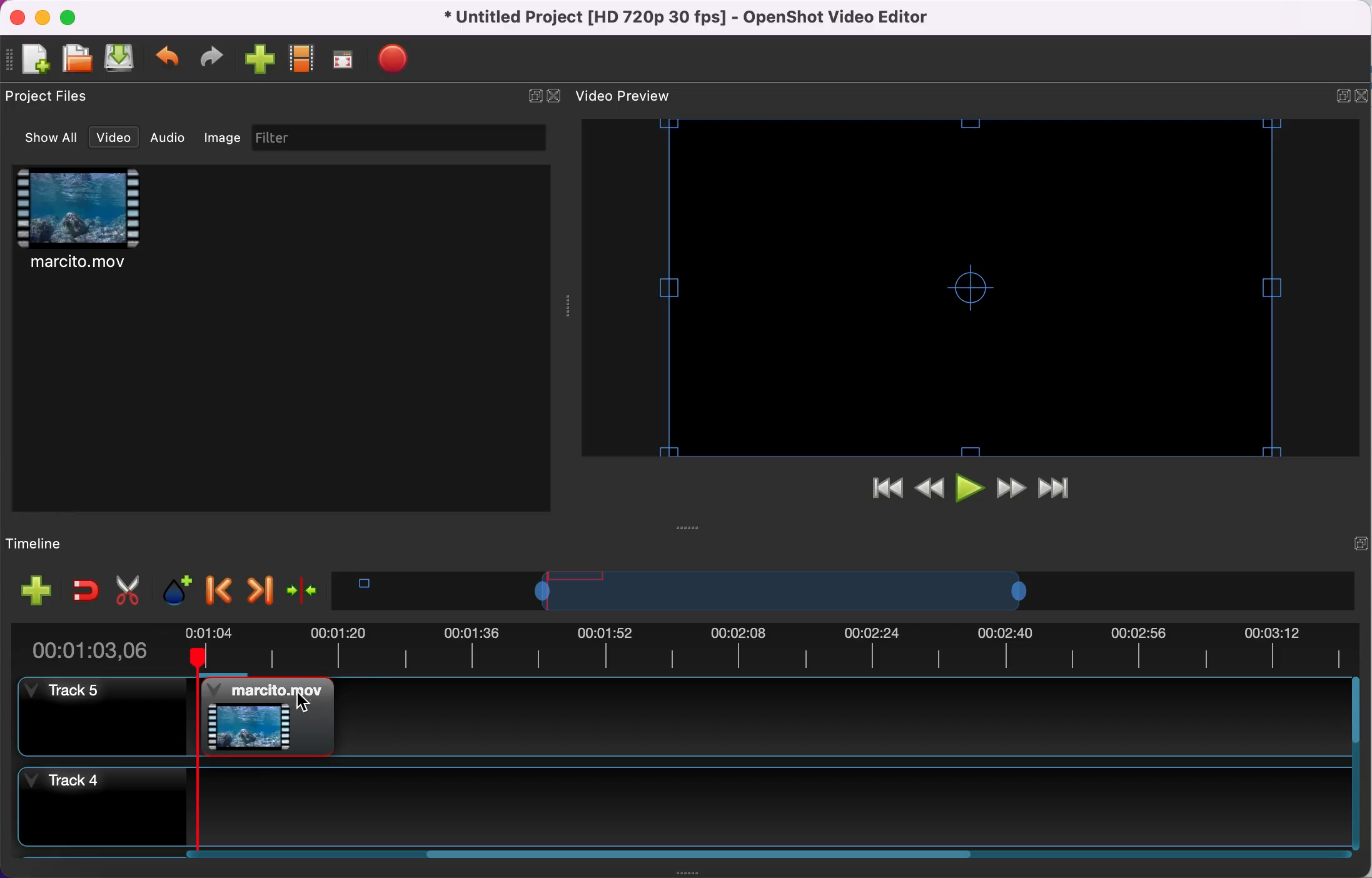 The height and width of the screenshot is (878, 1372). I want to click on video preview, so click(964, 288).